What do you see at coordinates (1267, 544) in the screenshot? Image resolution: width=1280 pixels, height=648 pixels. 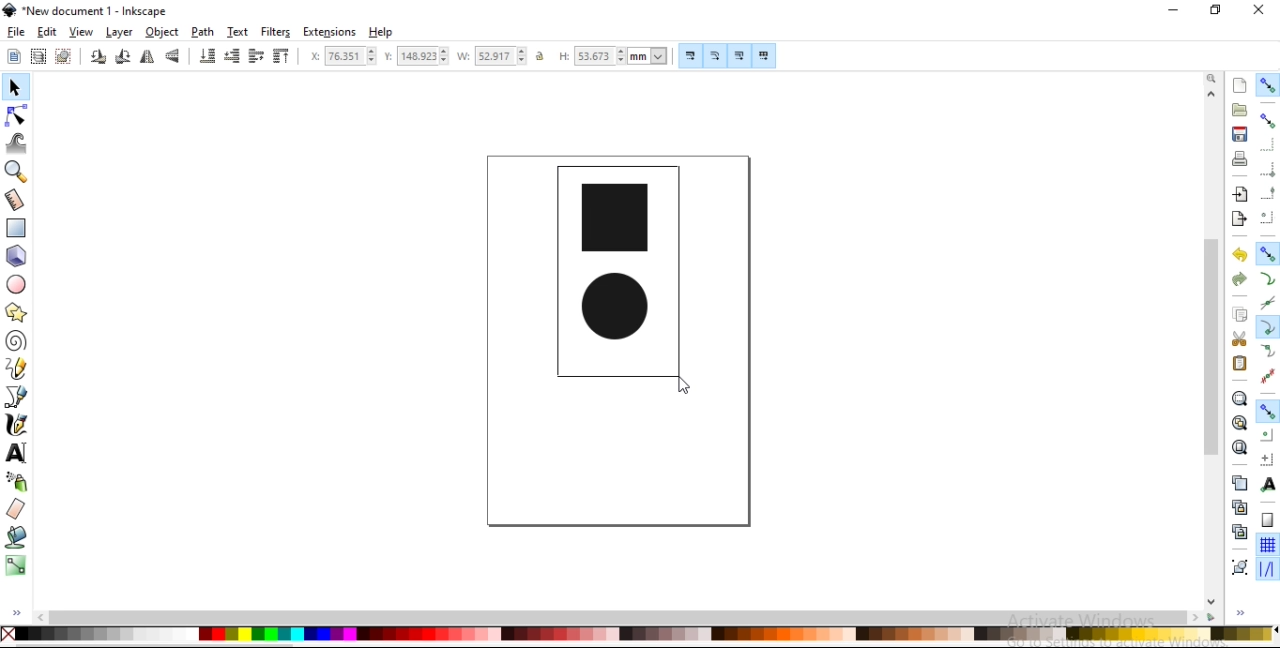 I see `snap to grids` at bounding box center [1267, 544].